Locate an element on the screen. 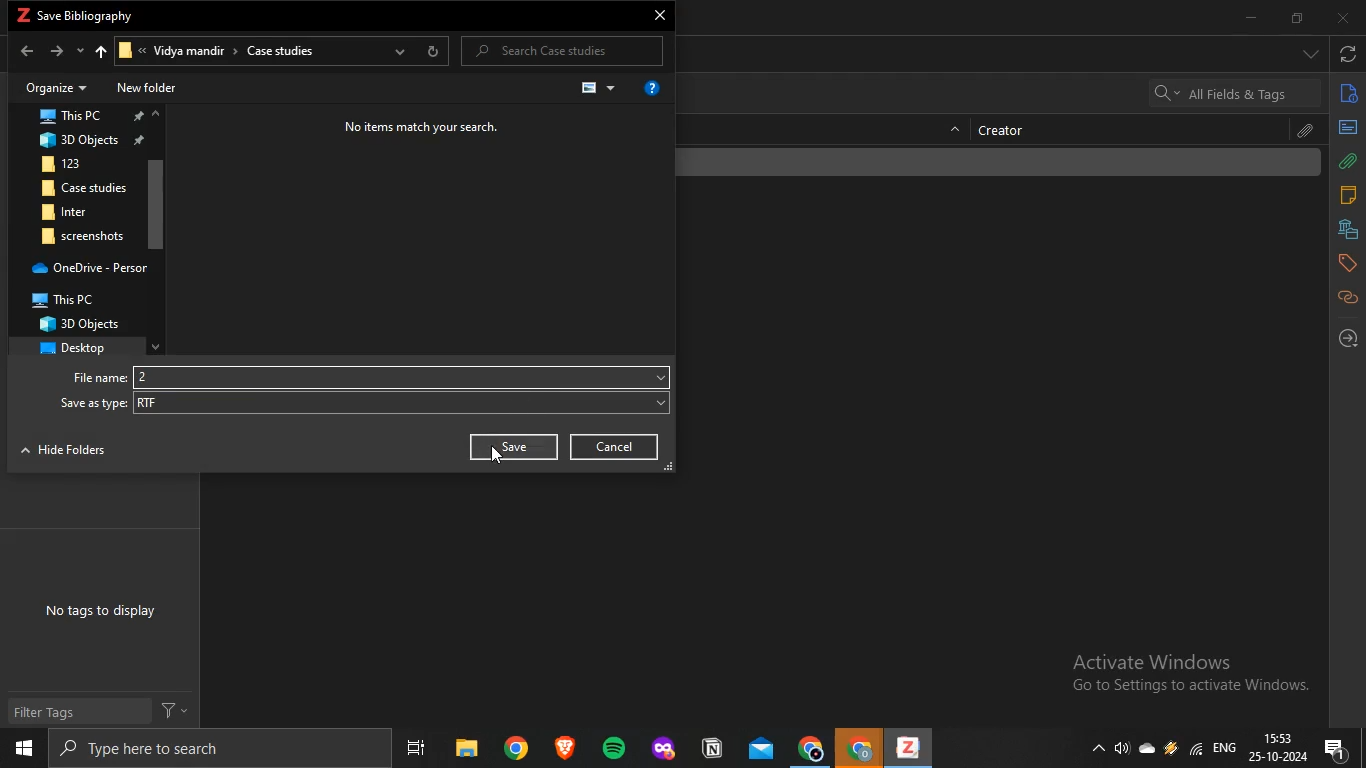 This screenshot has height=768, width=1366. chrome is located at coordinates (812, 747).